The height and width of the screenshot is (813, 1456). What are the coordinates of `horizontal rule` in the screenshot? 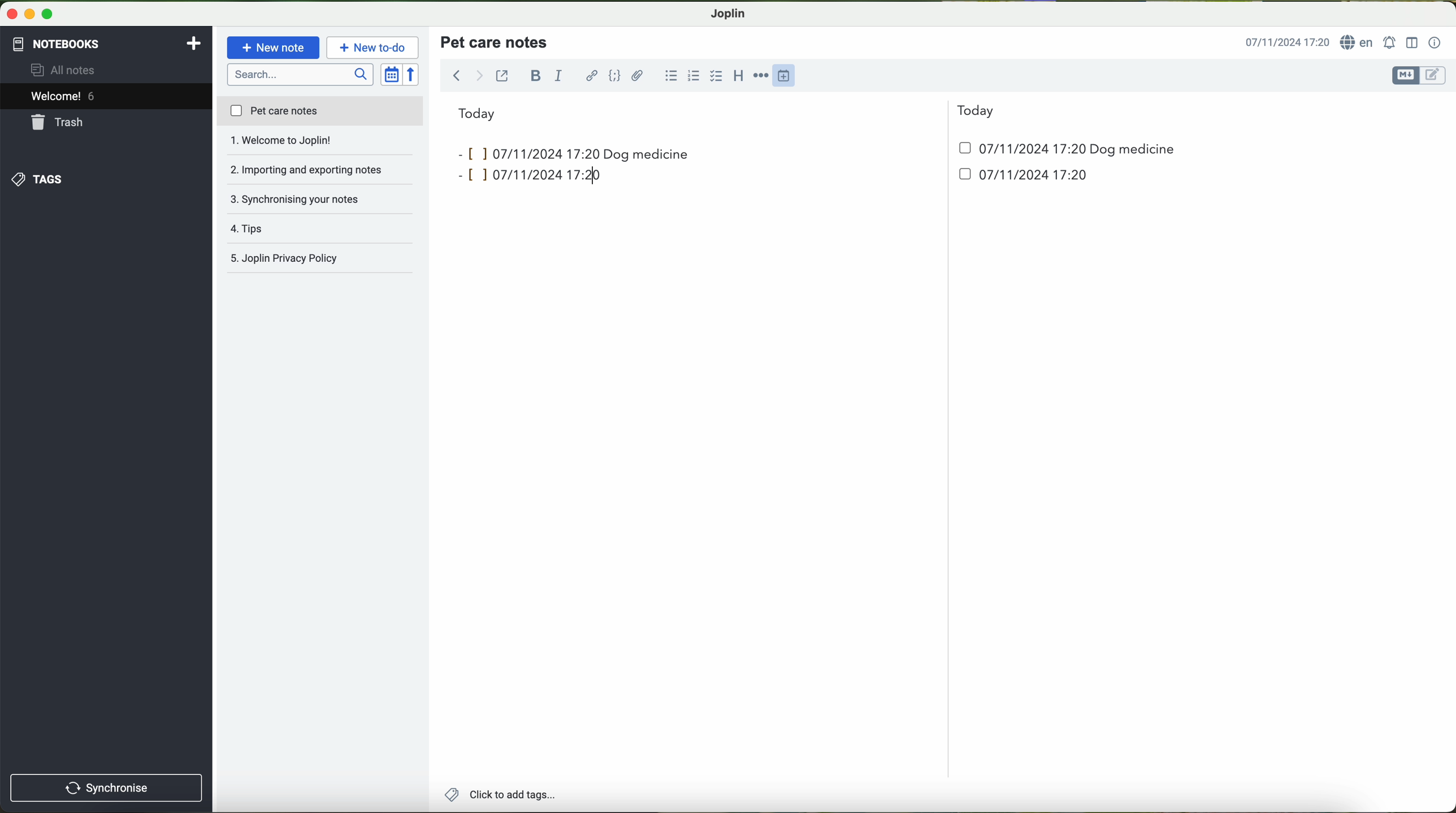 It's located at (763, 76).